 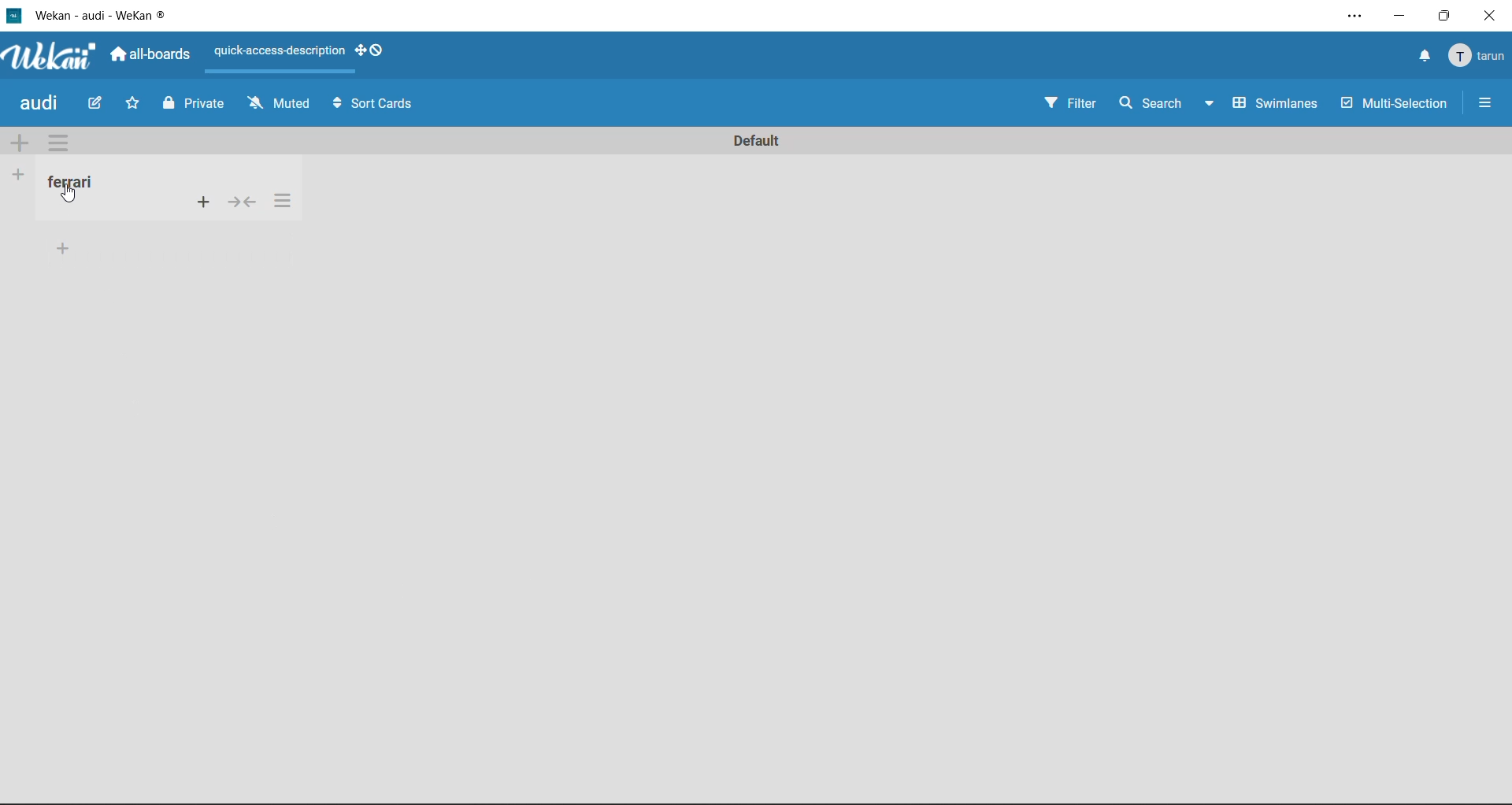 What do you see at coordinates (1402, 18) in the screenshot?
I see `minimize` at bounding box center [1402, 18].